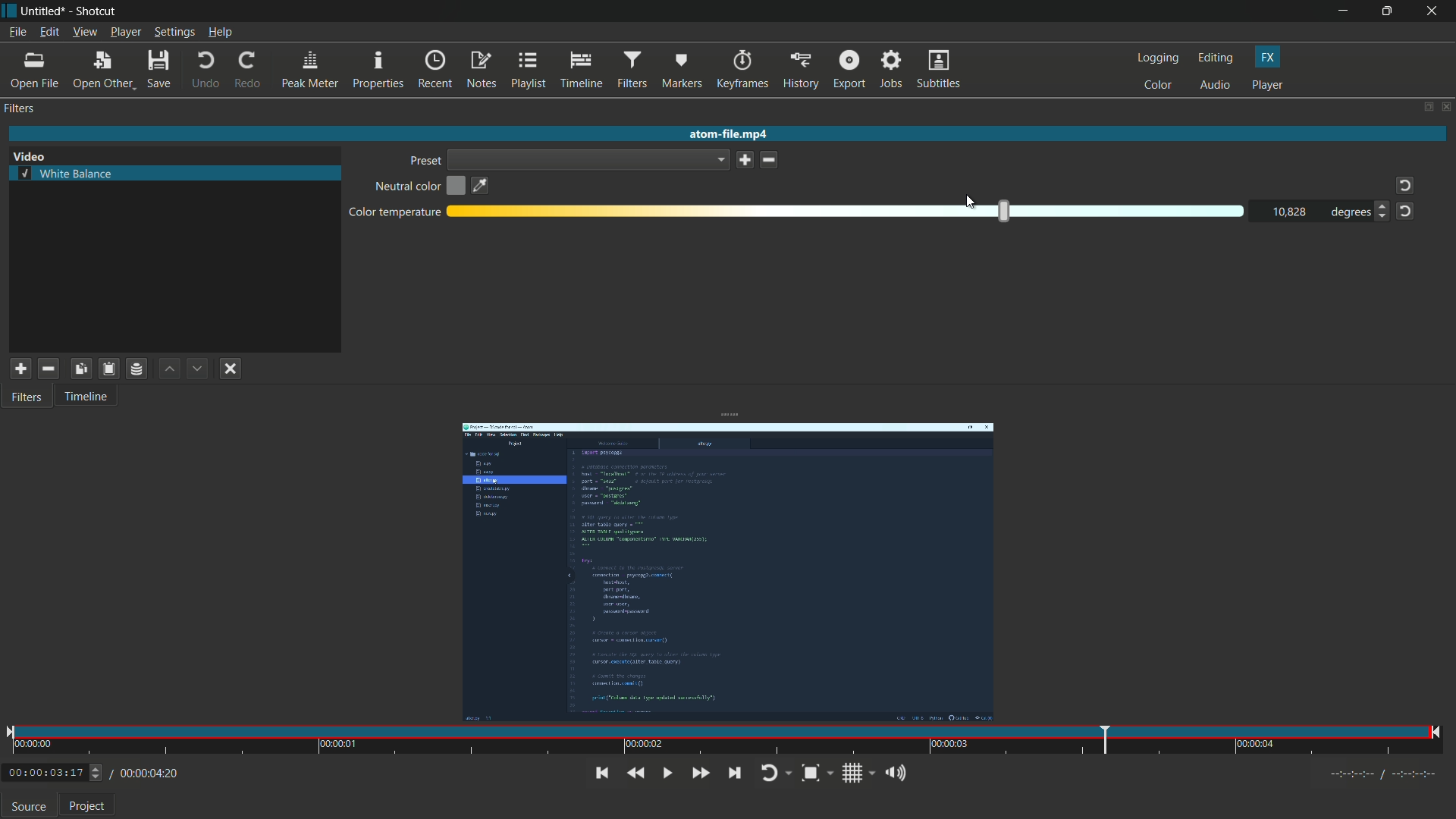  Describe the element at coordinates (893, 68) in the screenshot. I see `jobs` at that location.